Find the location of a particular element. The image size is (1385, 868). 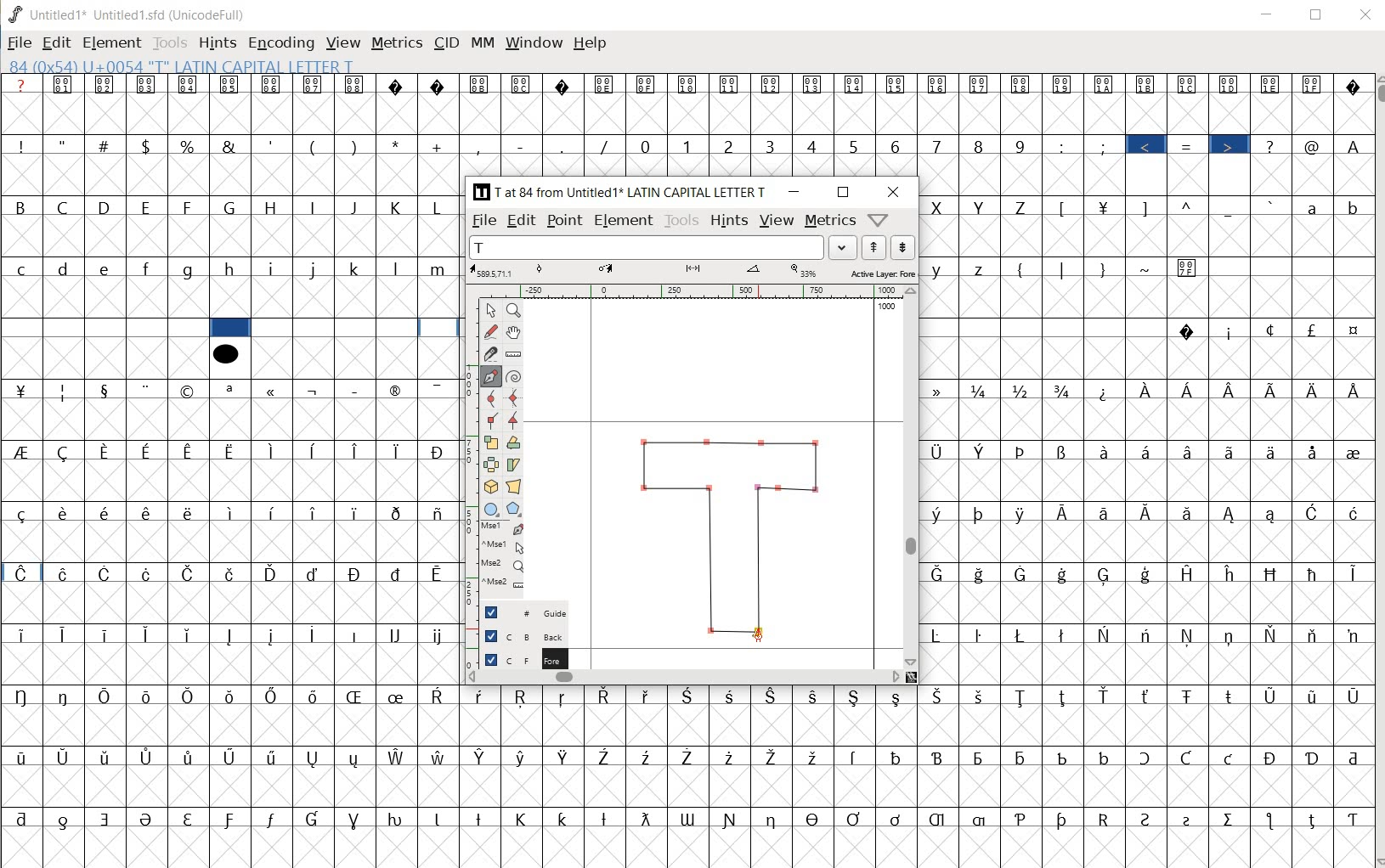

Symbol is located at coordinates (63, 513).